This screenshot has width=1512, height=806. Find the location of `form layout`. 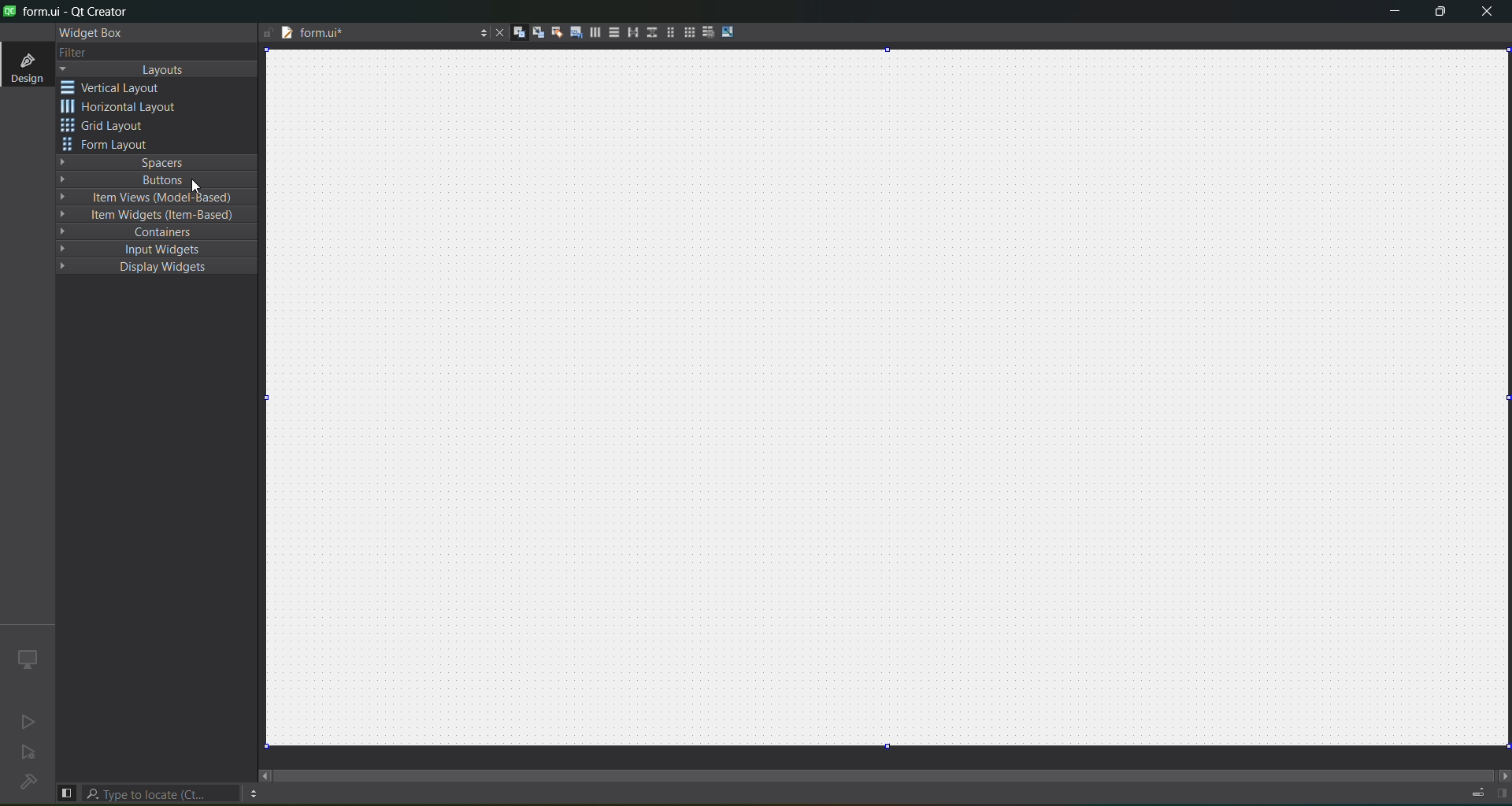

form layout is located at coordinates (108, 146).